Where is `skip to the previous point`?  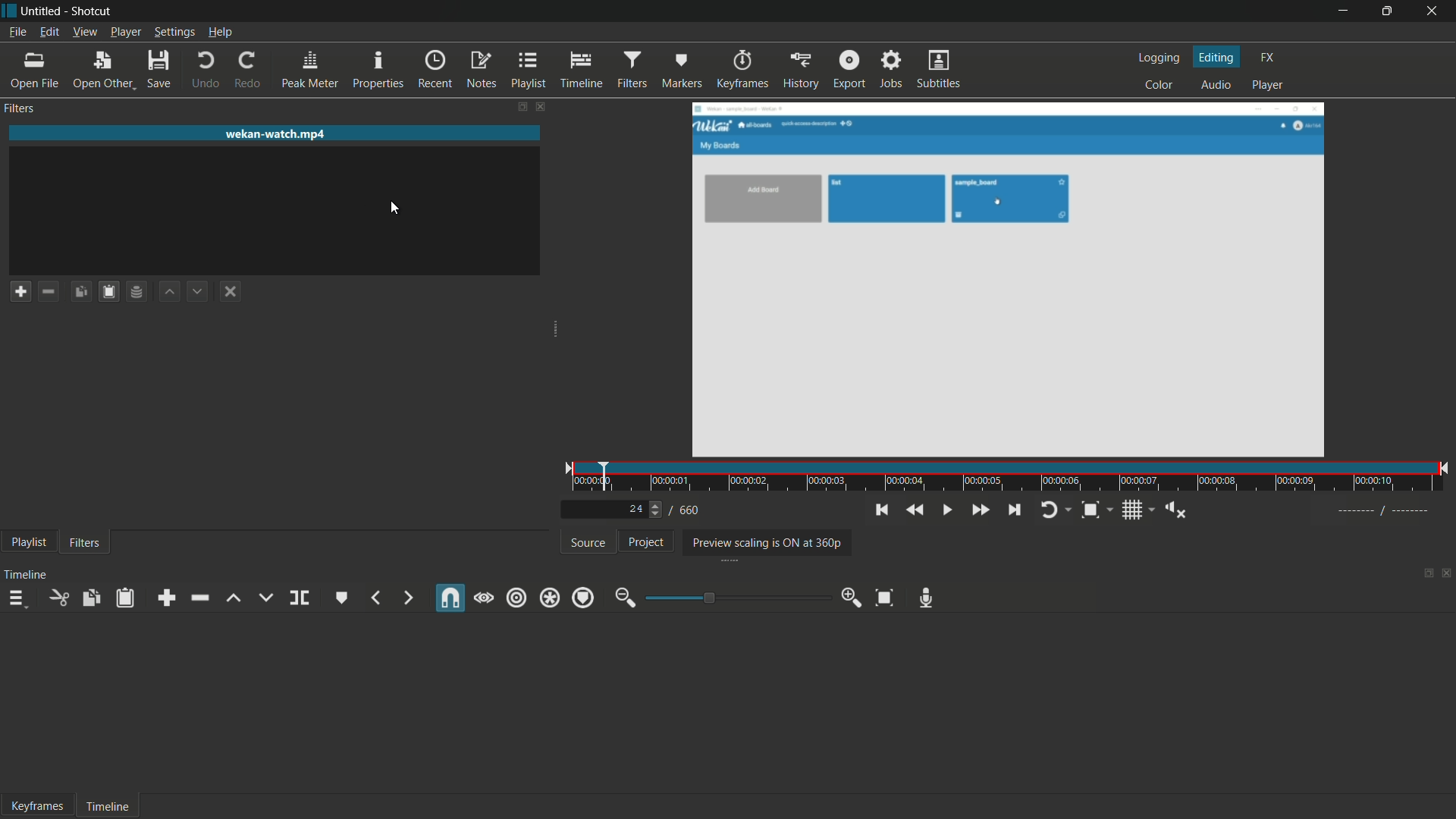 skip to the previous point is located at coordinates (882, 510).